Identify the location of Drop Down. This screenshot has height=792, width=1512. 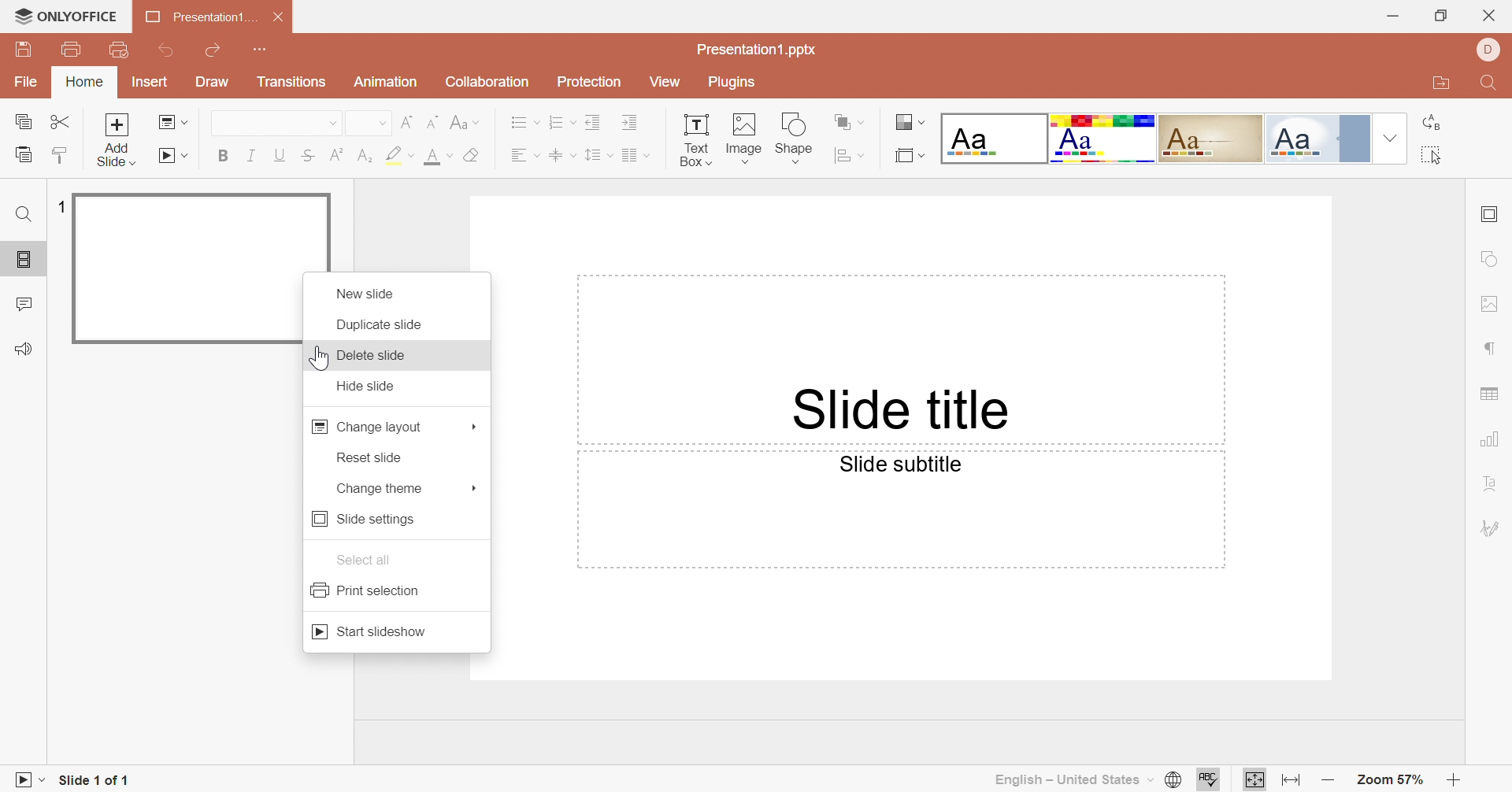
(863, 120).